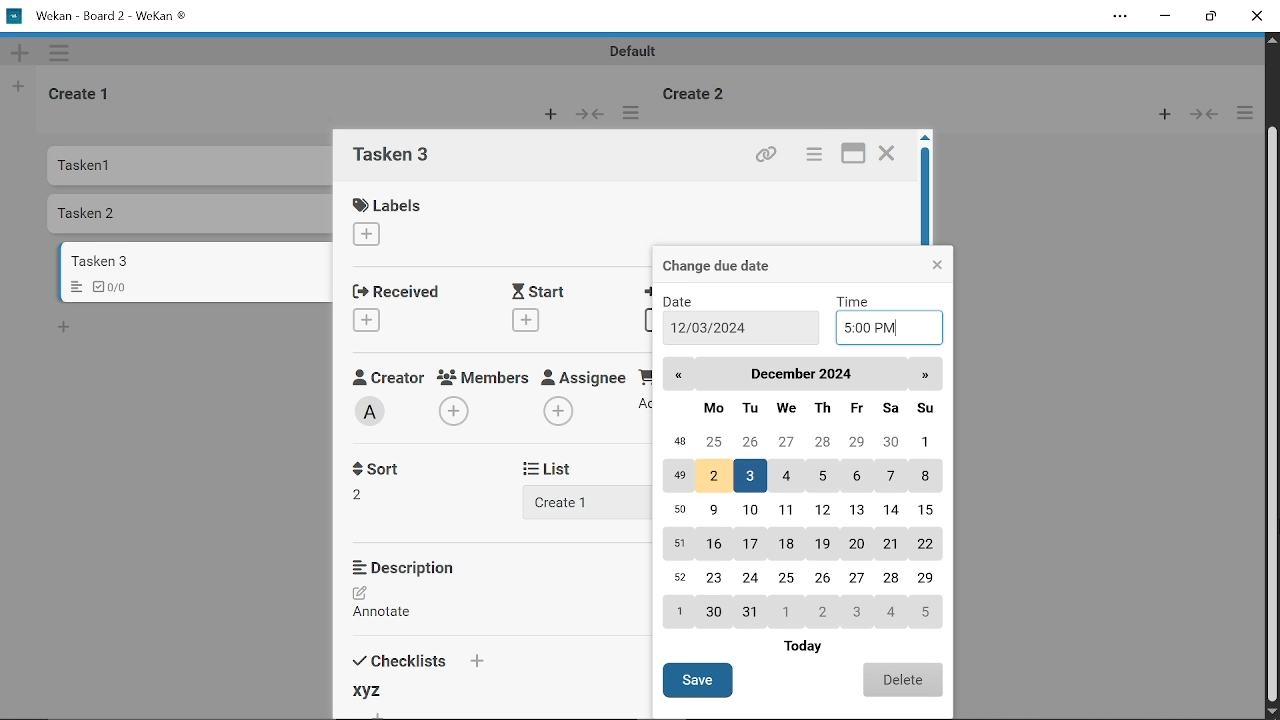 The image size is (1280, 720). What do you see at coordinates (456, 412) in the screenshot?
I see `Add members` at bounding box center [456, 412].